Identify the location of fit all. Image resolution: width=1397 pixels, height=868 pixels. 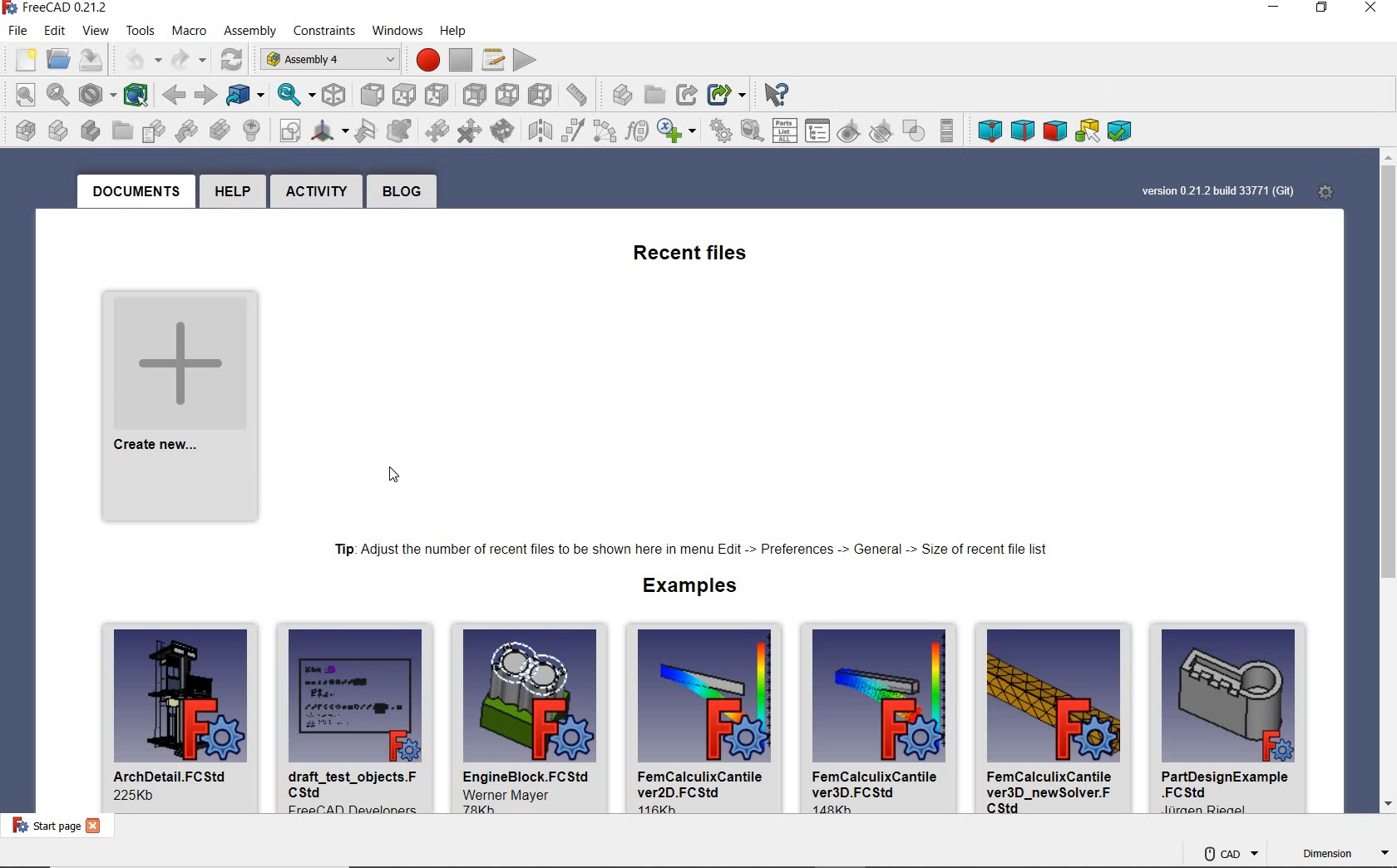
(22, 95).